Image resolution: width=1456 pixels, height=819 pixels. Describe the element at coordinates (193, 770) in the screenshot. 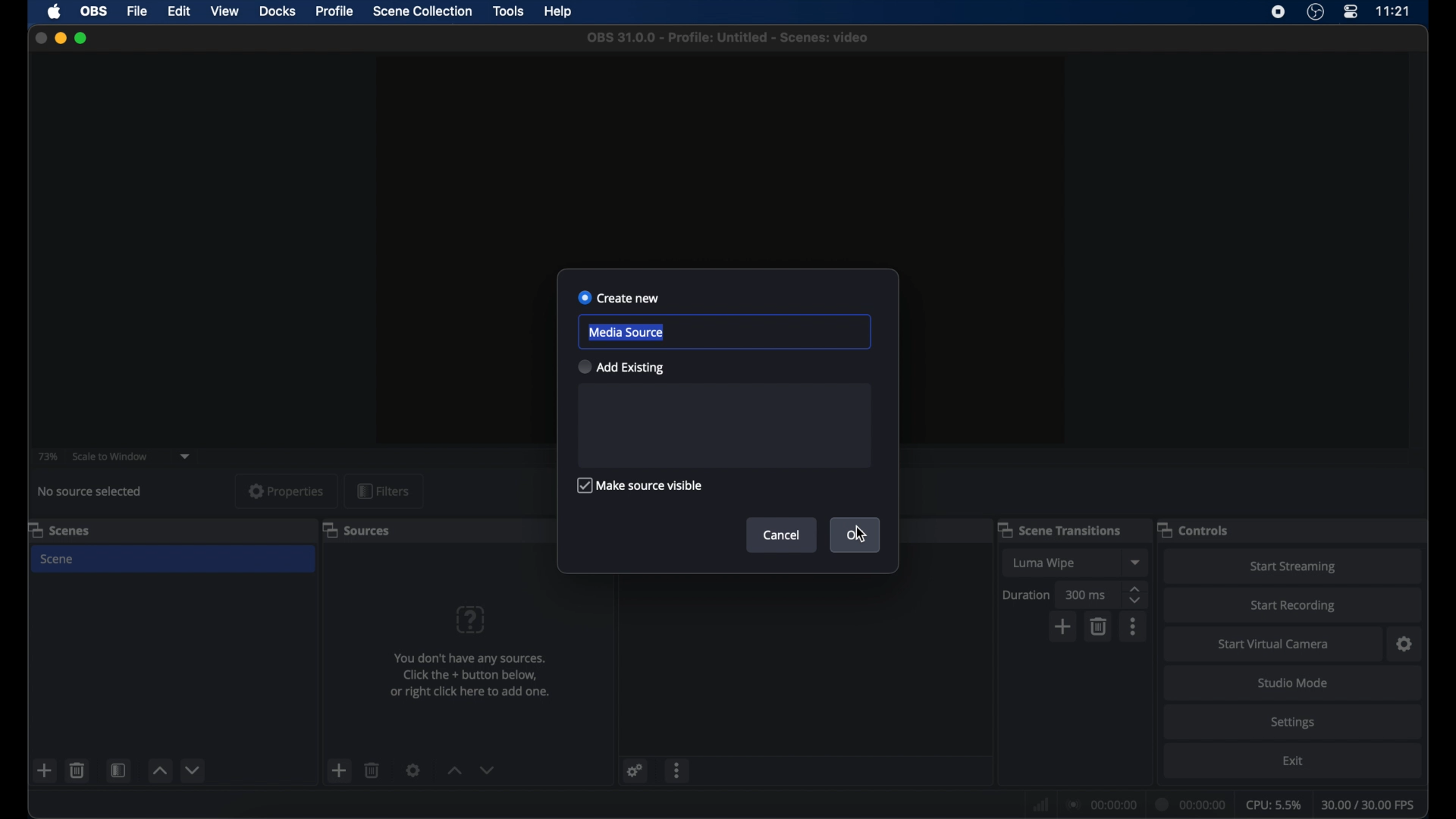

I see `decrement` at that location.